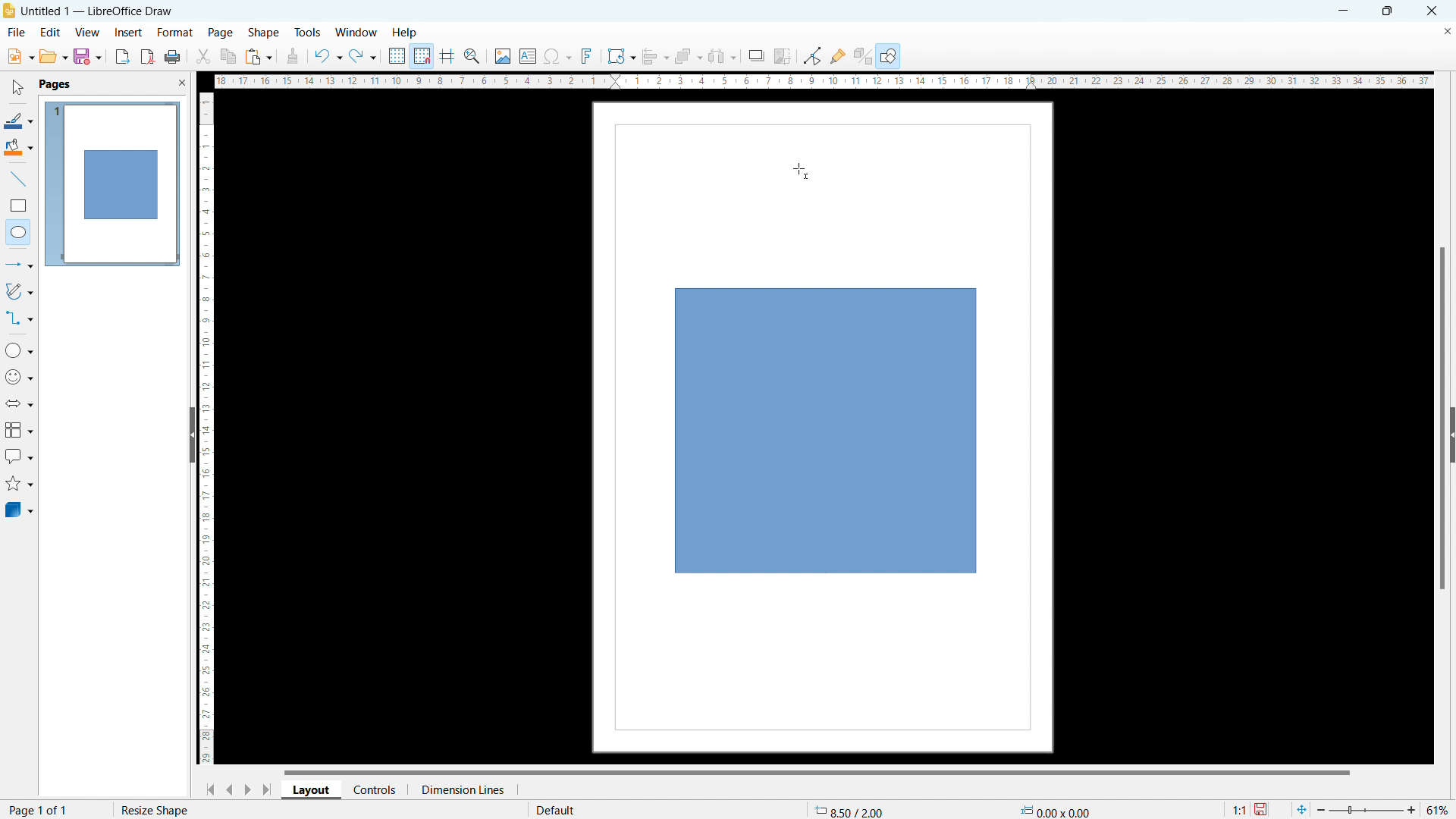 This screenshot has width=1456, height=819. What do you see at coordinates (208, 789) in the screenshot?
I see `go to first page` at bounding box center [208, 789].